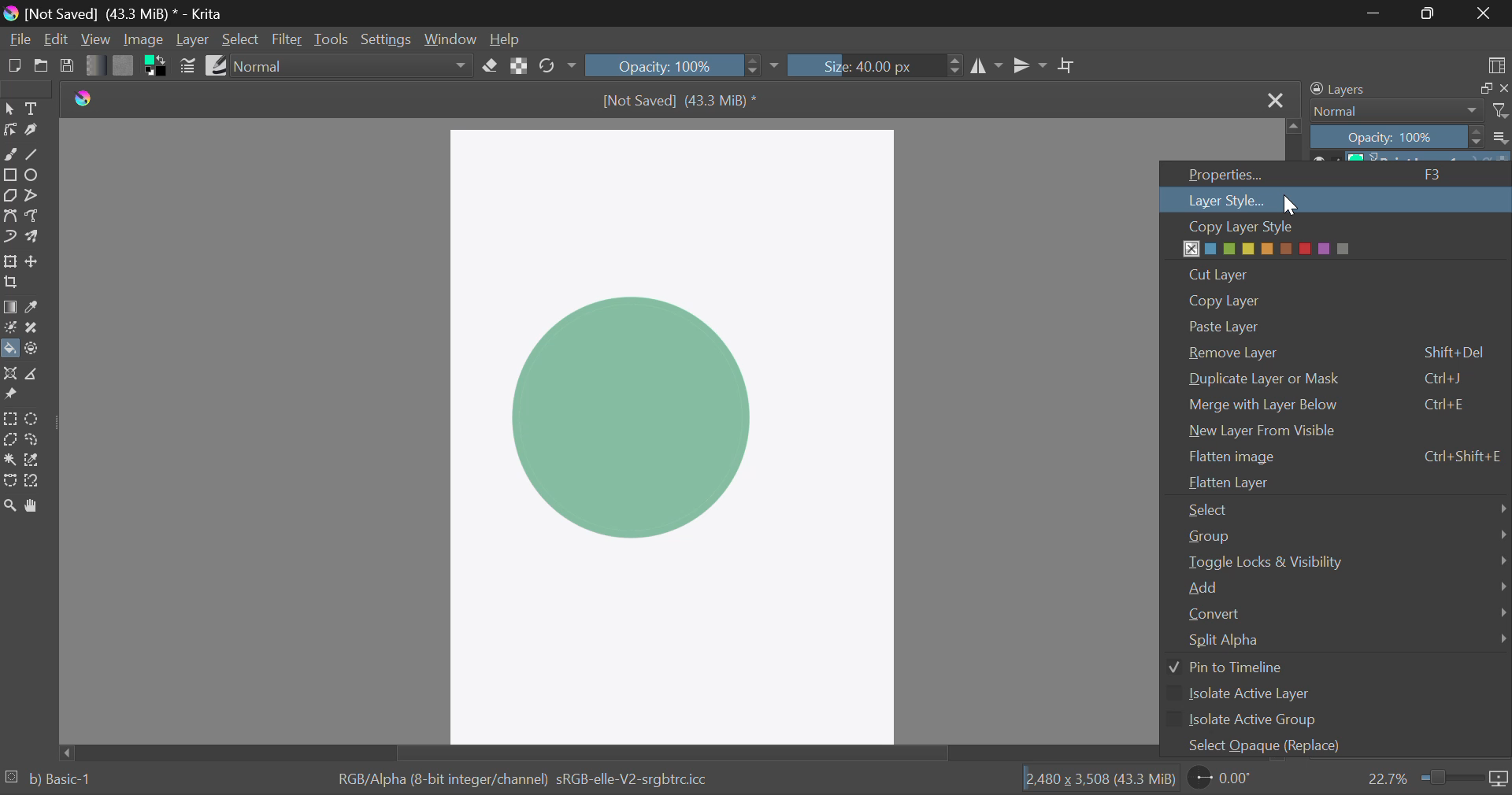 This screenshot has height=795, width=1512. What do you see at coordinates (10, 328) in the screenshot?
I see `Colorize Mask Tool` at bounding box center [10, 328].